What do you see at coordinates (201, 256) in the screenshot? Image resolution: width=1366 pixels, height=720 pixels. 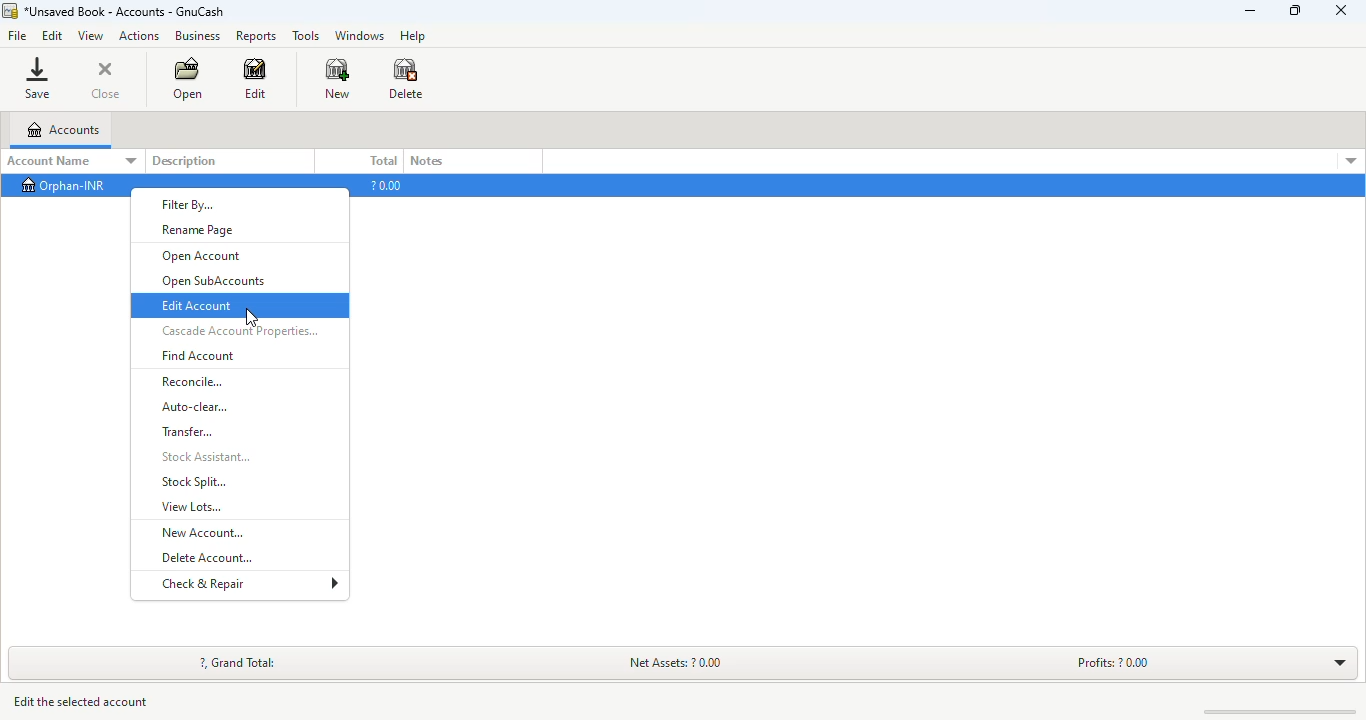 I see `open account` at bounding box center [201, 256].